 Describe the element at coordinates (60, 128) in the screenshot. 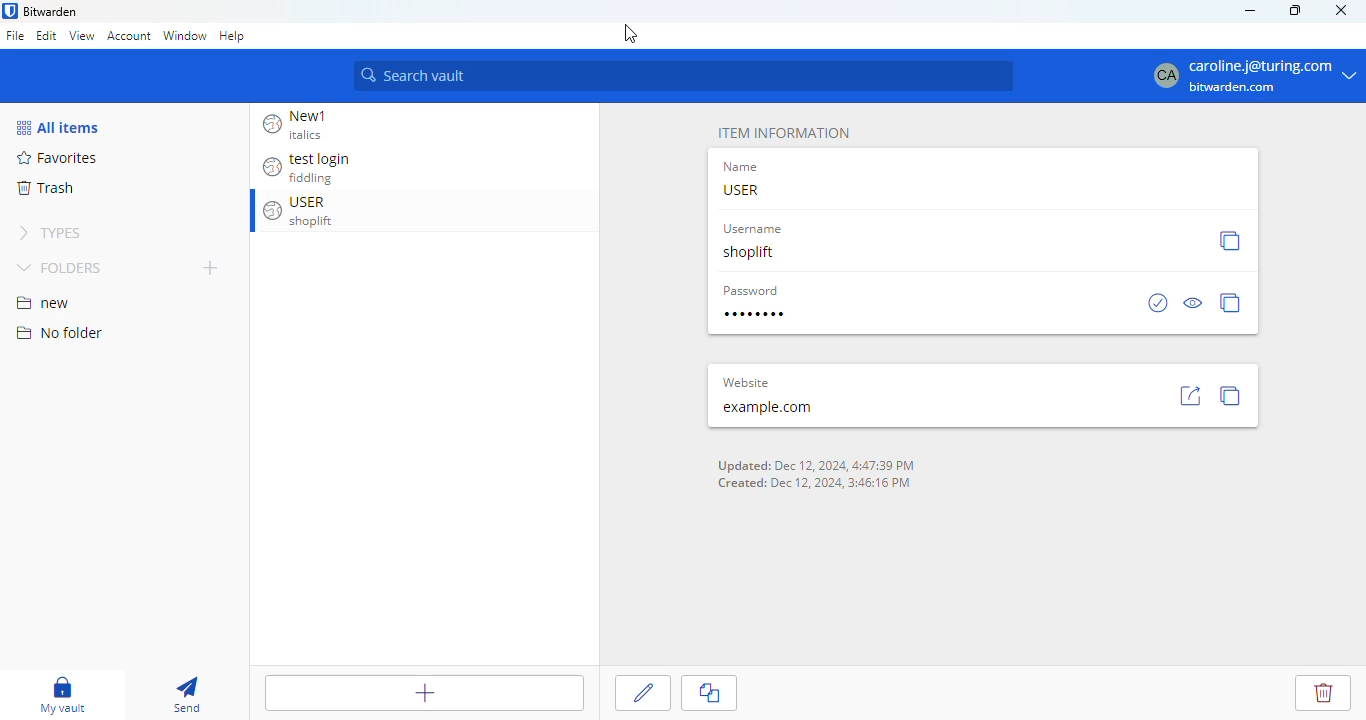

I see `all items` at that location.